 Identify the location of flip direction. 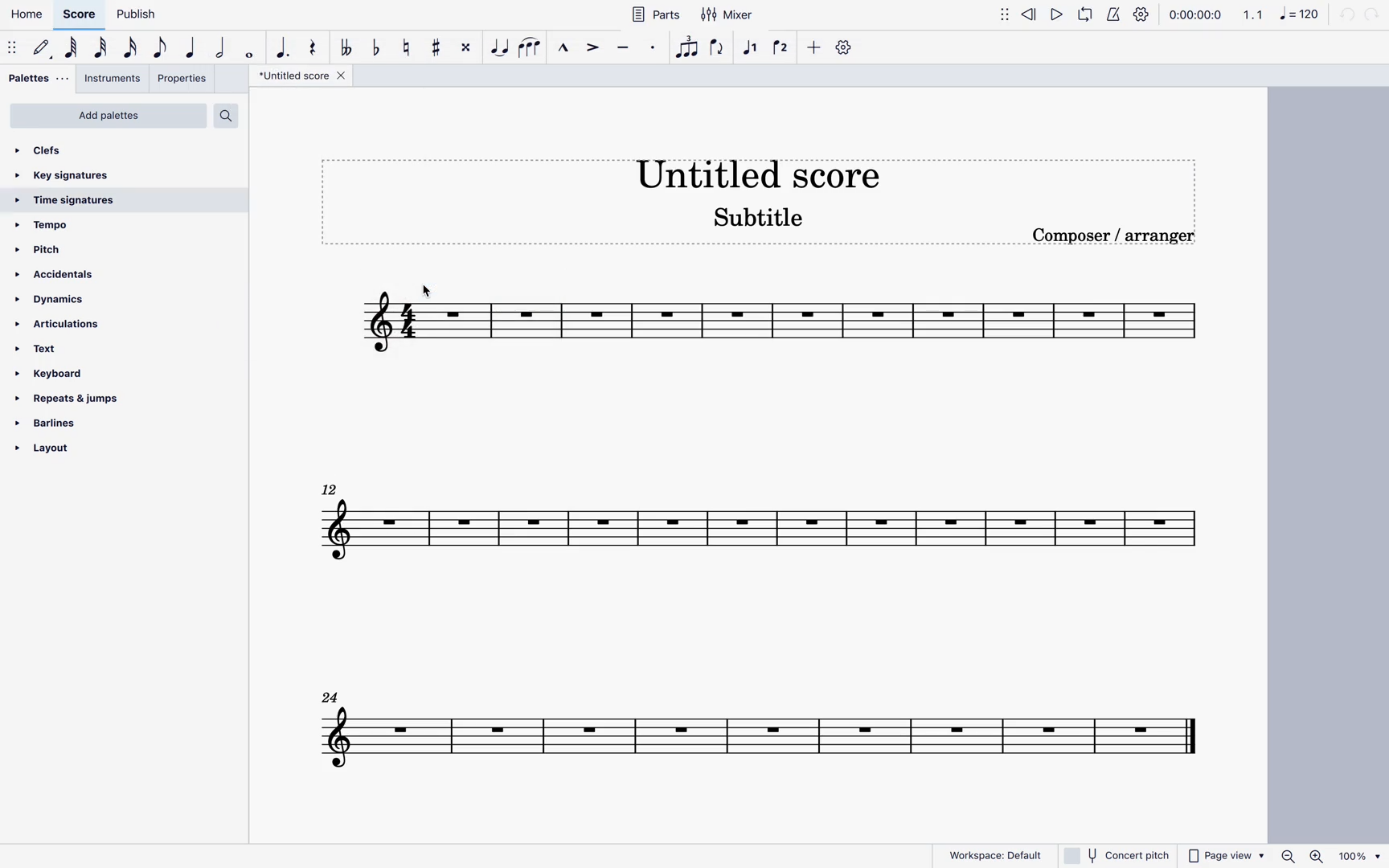
(714, 52).